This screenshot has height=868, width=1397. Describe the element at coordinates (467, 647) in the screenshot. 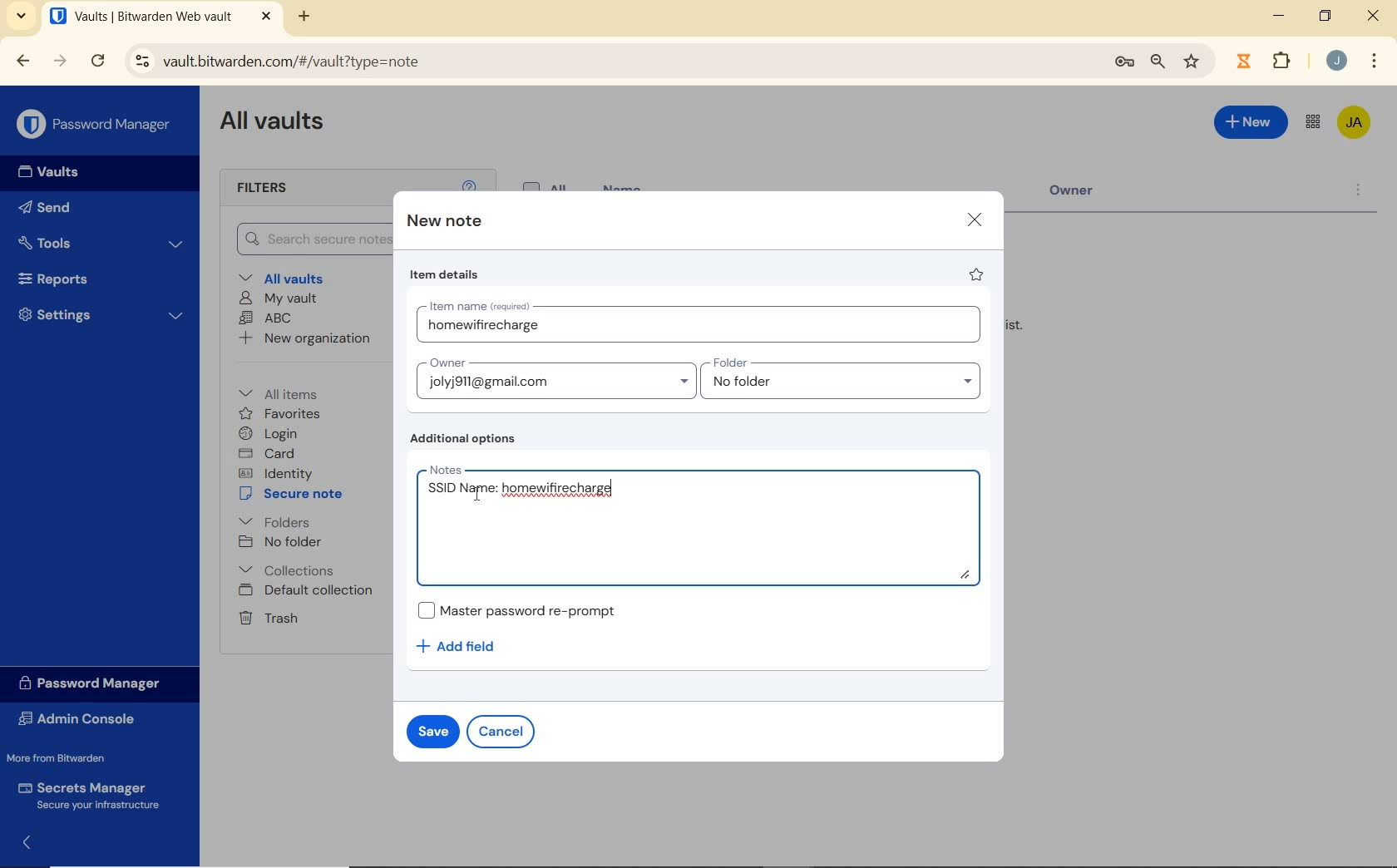

I see `add field` at that location.